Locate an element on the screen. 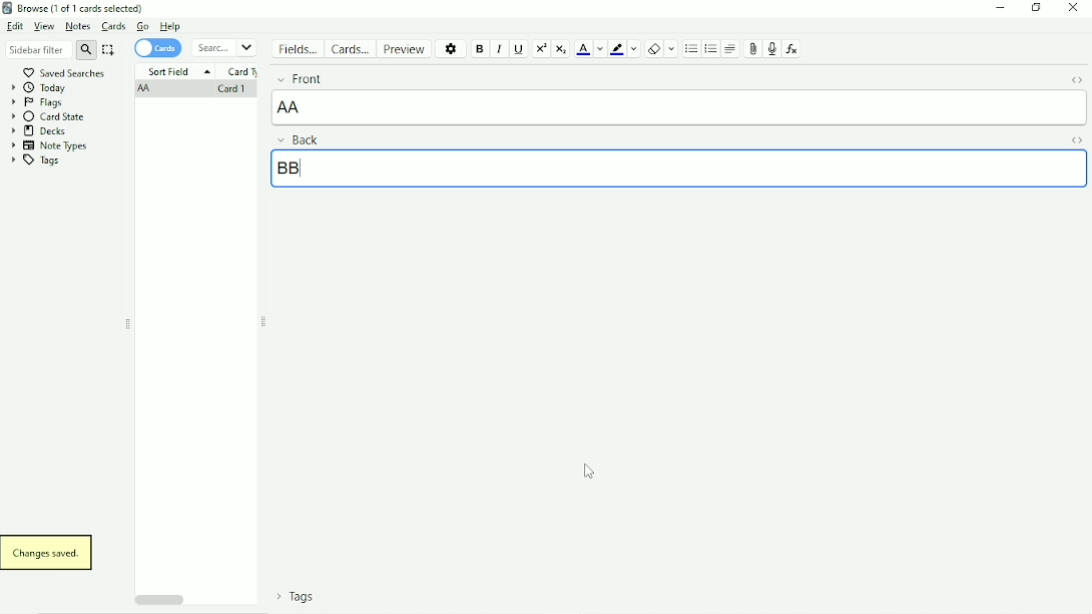 Image resolution: width=1092 pixels, height=614 pixels. Help is located at coordinates (170, 26).